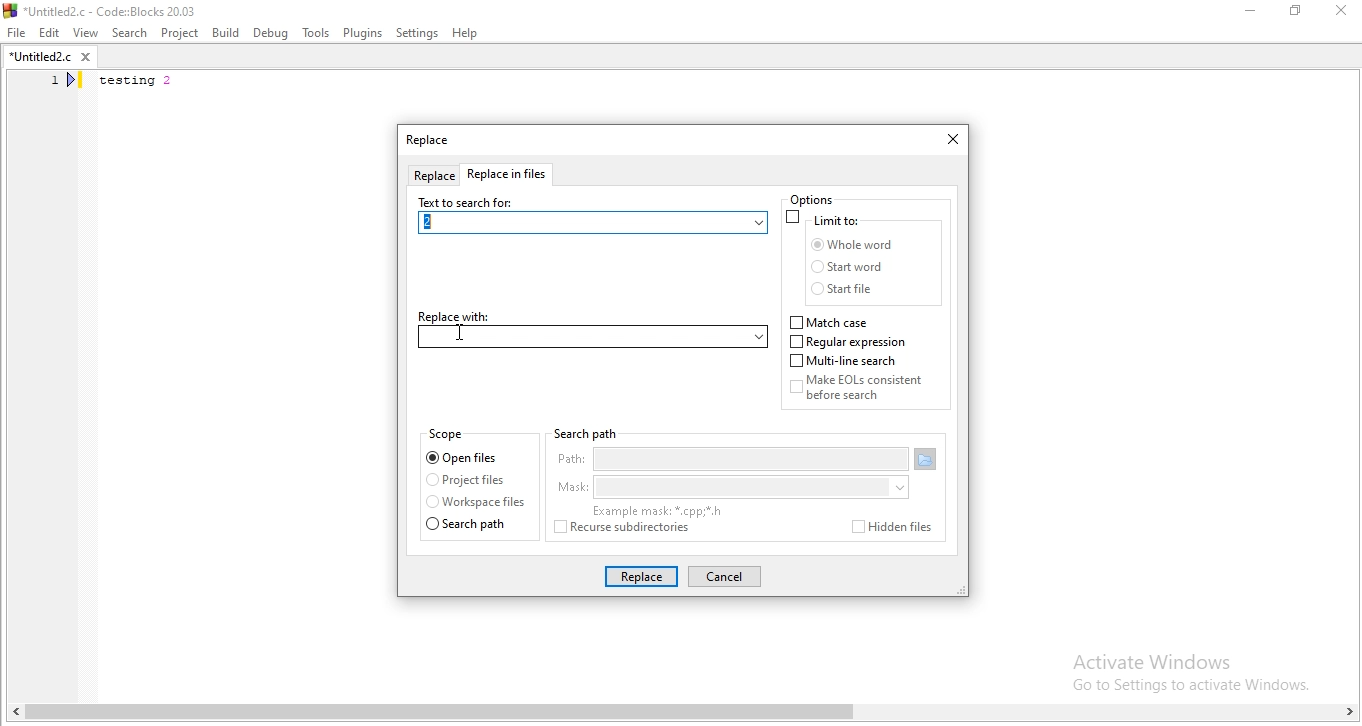 This screenshot has height=726, width=1362. What do you see at coordinates (449, 435) in the screenshot?
I see `scope` at bounding box center [449, 435].